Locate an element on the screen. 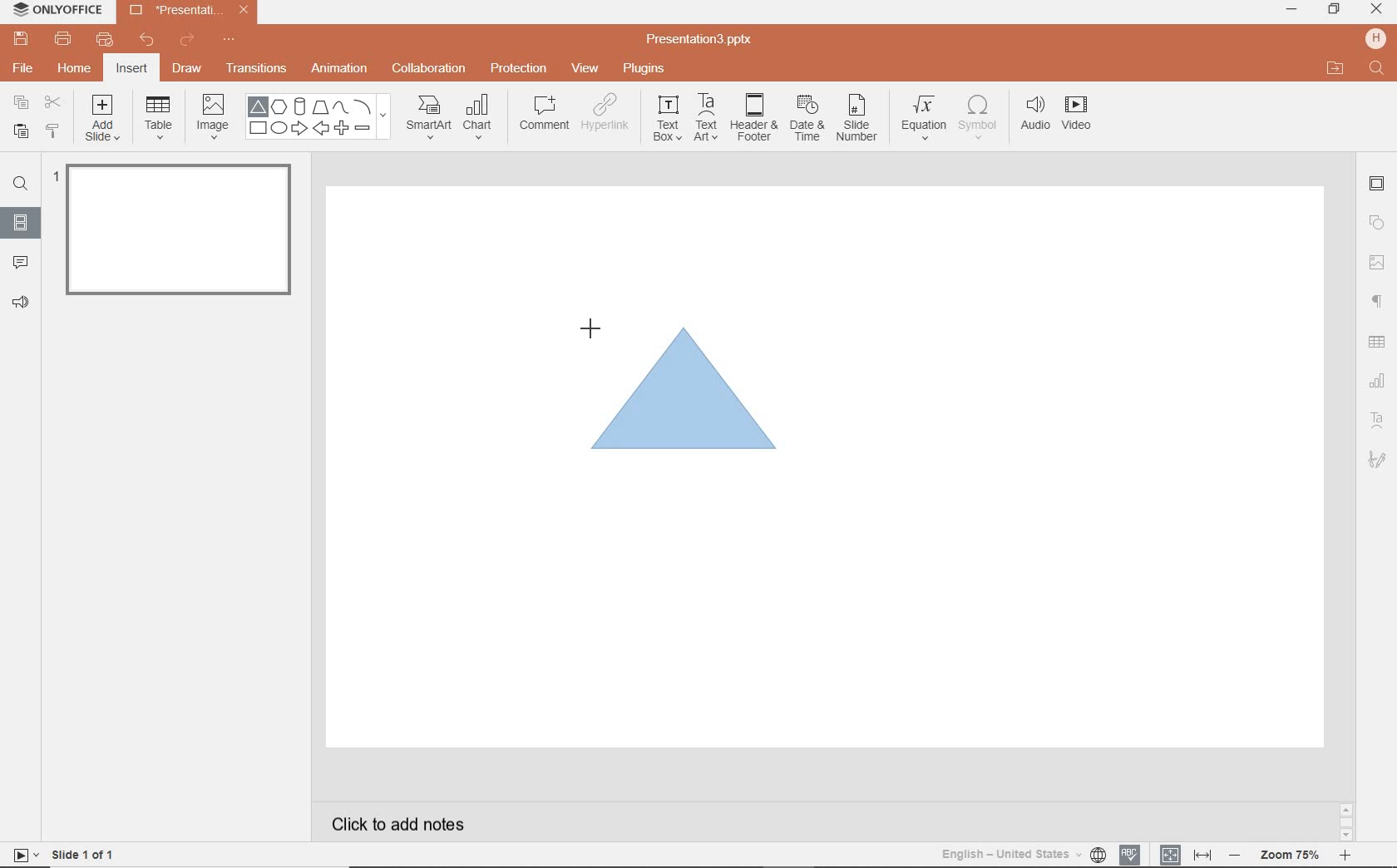  FIND is located at coordinates (1378, 70).